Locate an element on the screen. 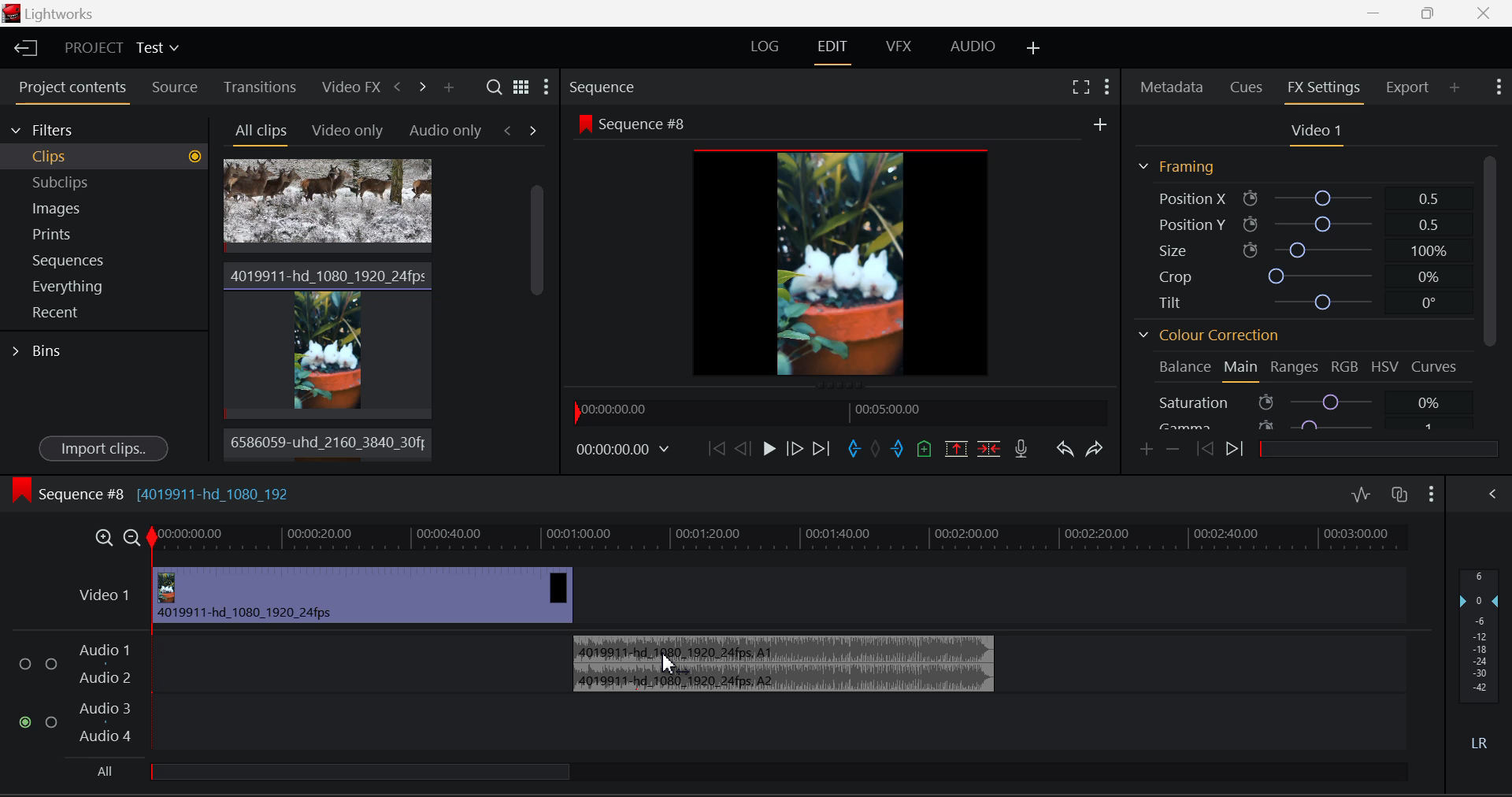 This screenshot has width=1512, height=797. Show Settings is located at coordinates (1107, 86).